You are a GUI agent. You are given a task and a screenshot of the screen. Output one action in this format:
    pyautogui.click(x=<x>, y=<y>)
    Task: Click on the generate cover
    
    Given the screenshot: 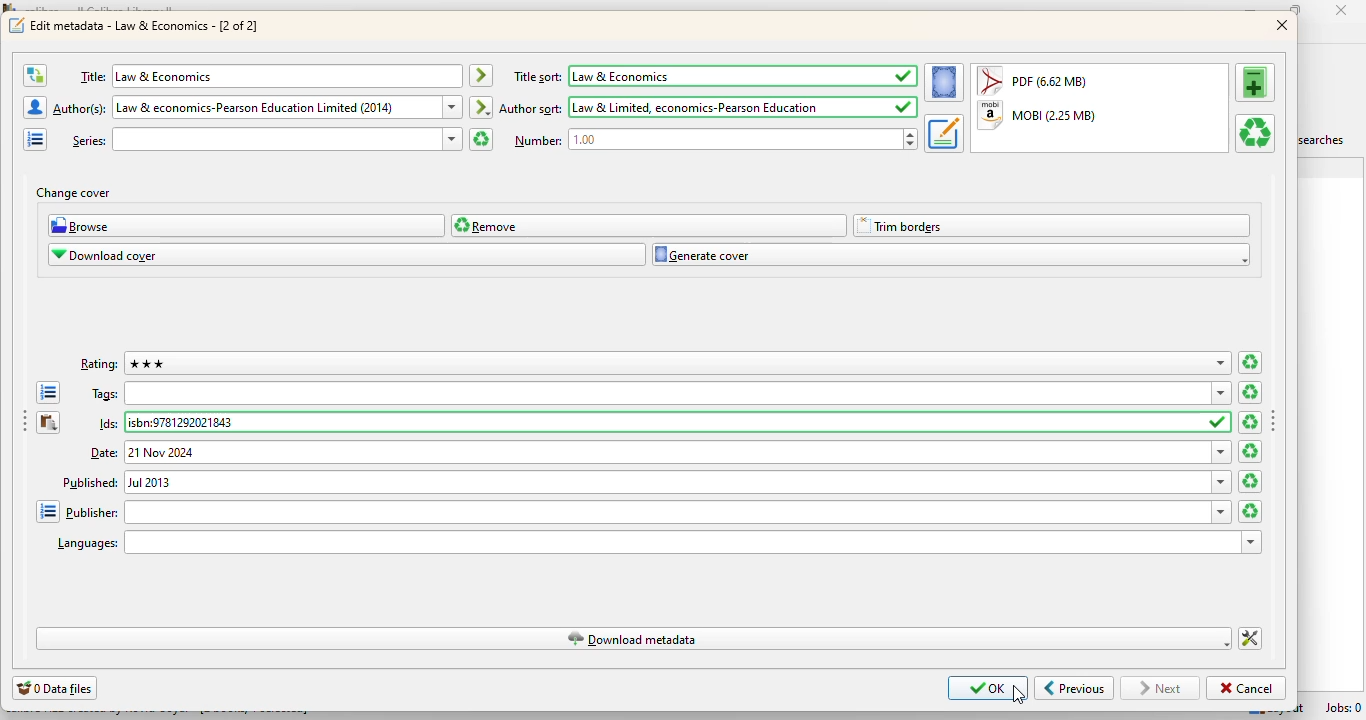 What is the action you would take?
    pyautogui.click(x=951, y=255)
    